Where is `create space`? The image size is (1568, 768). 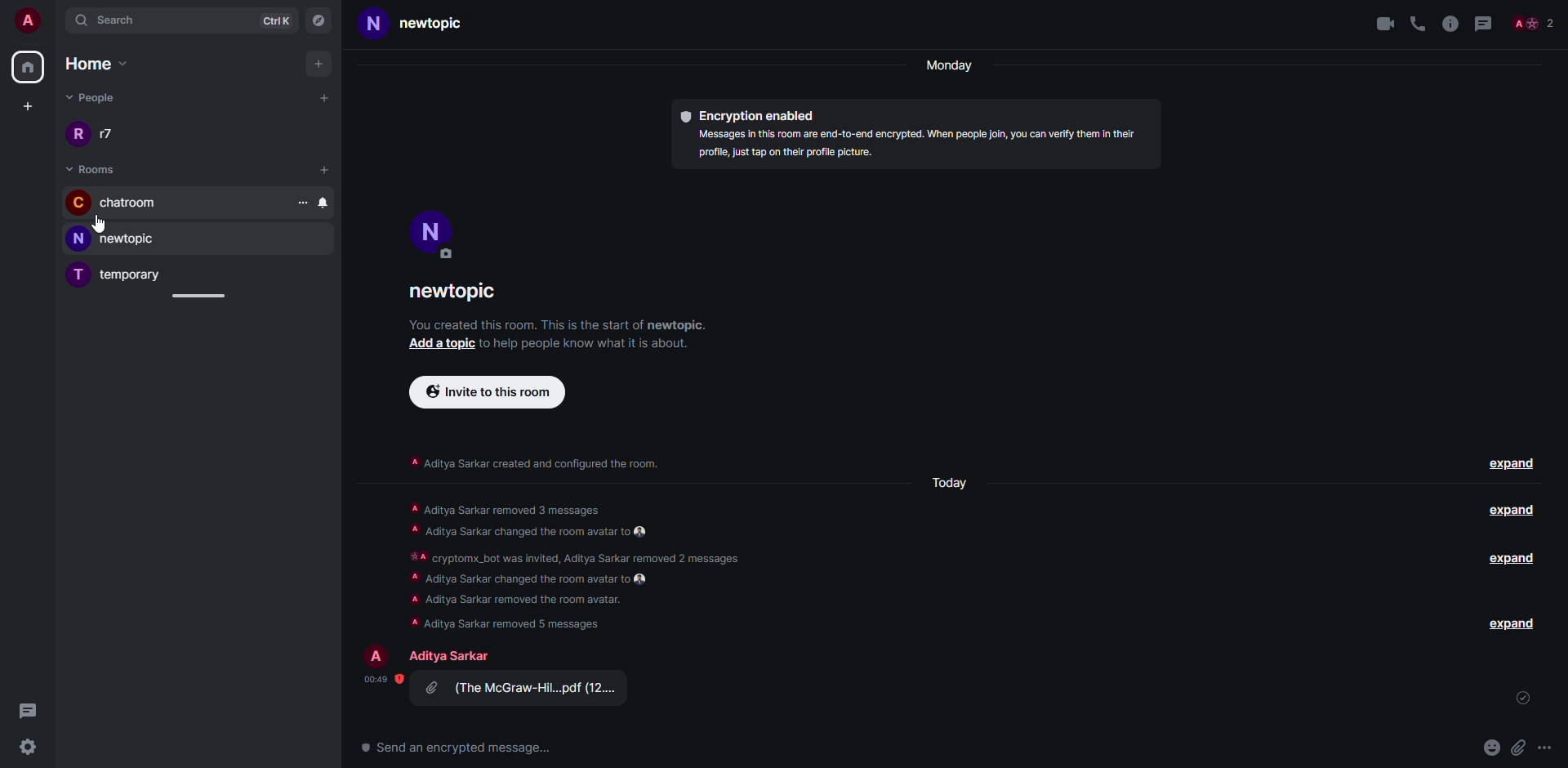
create space is located at coordinates (25, 105).